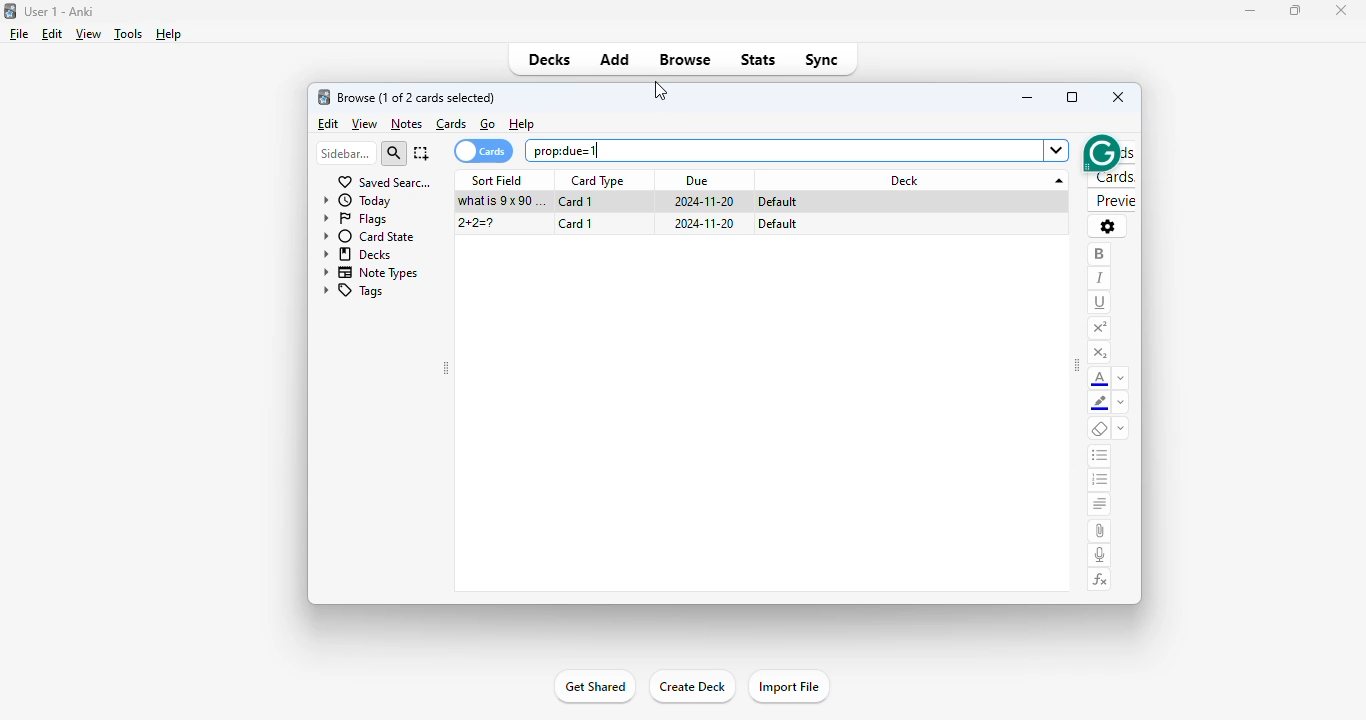 Image resolution: width=1366 pixels, height=720 pixels. Describe the element at coordinates (1027, 97) in the screenshot. I see `minimize` at that location.